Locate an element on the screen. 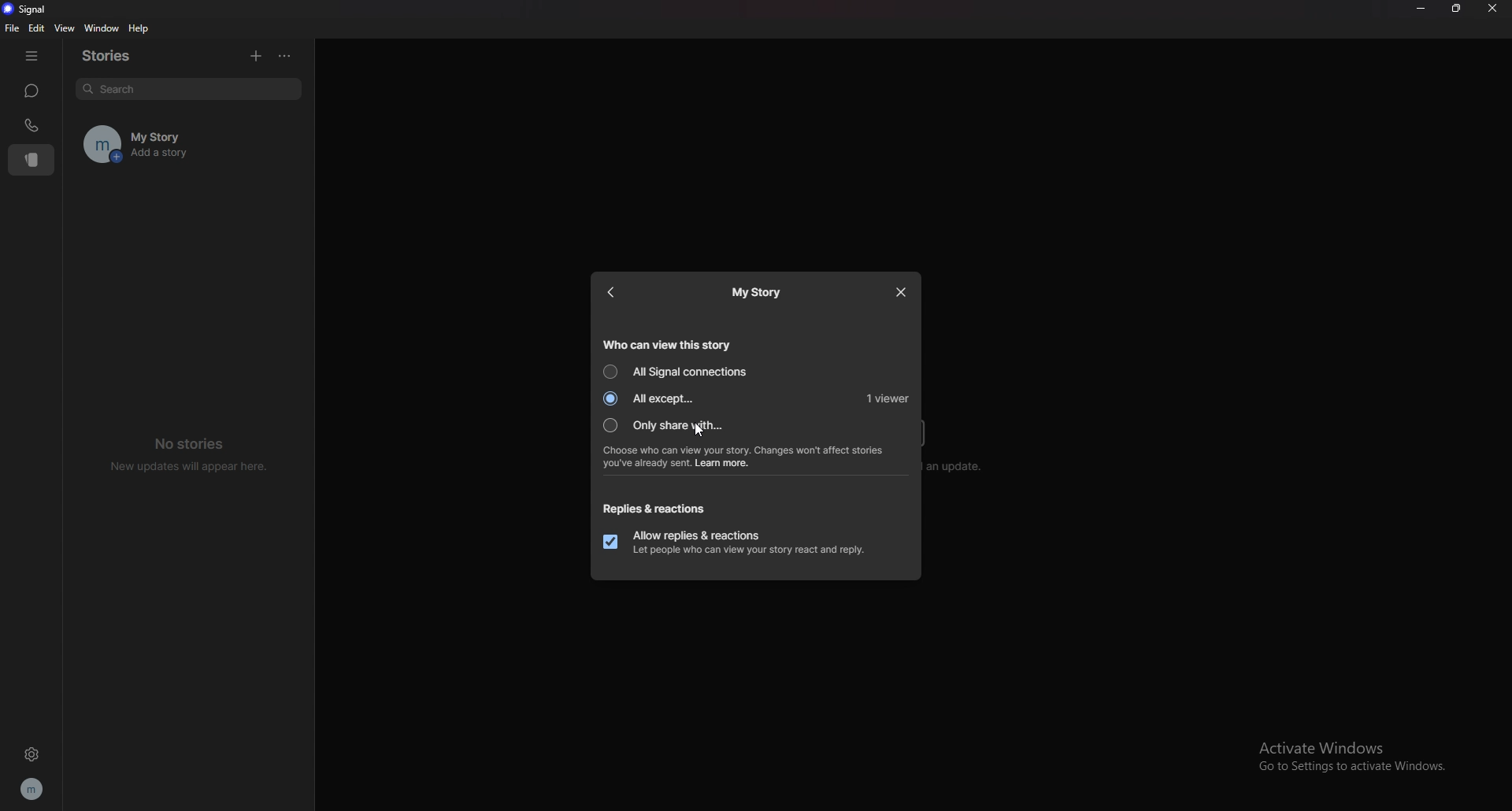  back is located at coordinates (612, 292).